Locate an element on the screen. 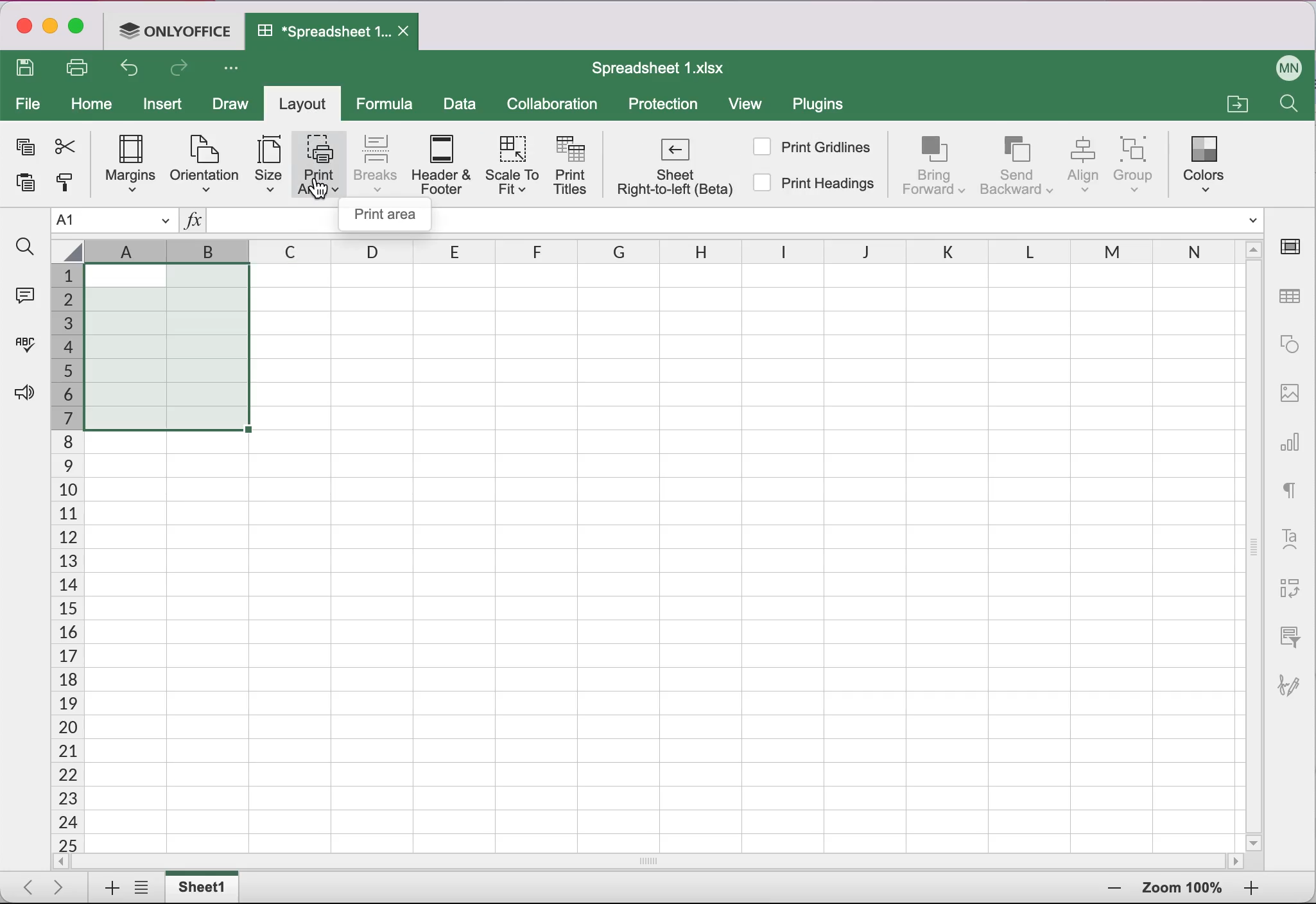 The height and width of the screenshot is (904, 1316). protection is located at coordinates (664, 105).